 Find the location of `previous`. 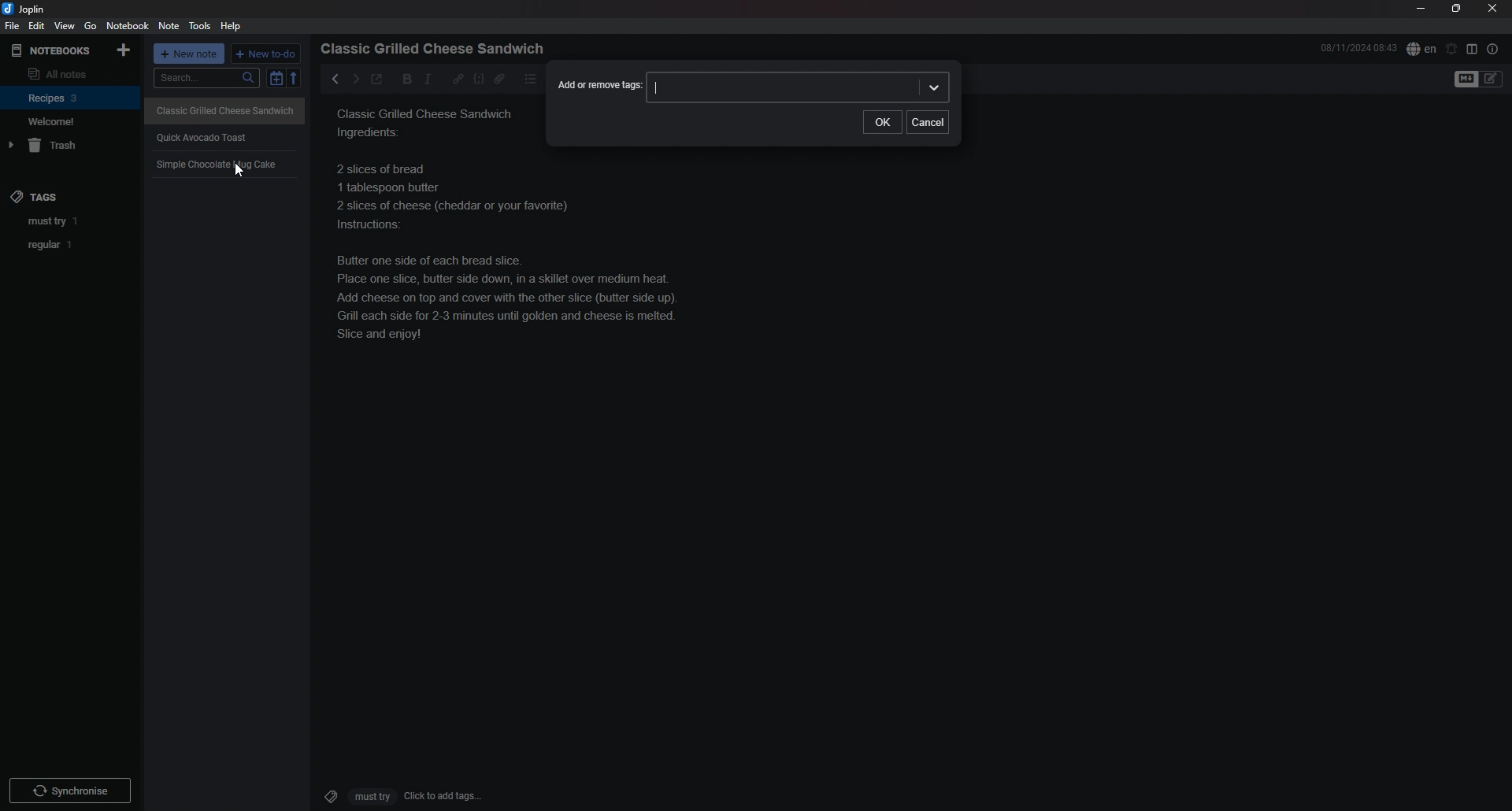

previous is located at coordinates (335, 79).